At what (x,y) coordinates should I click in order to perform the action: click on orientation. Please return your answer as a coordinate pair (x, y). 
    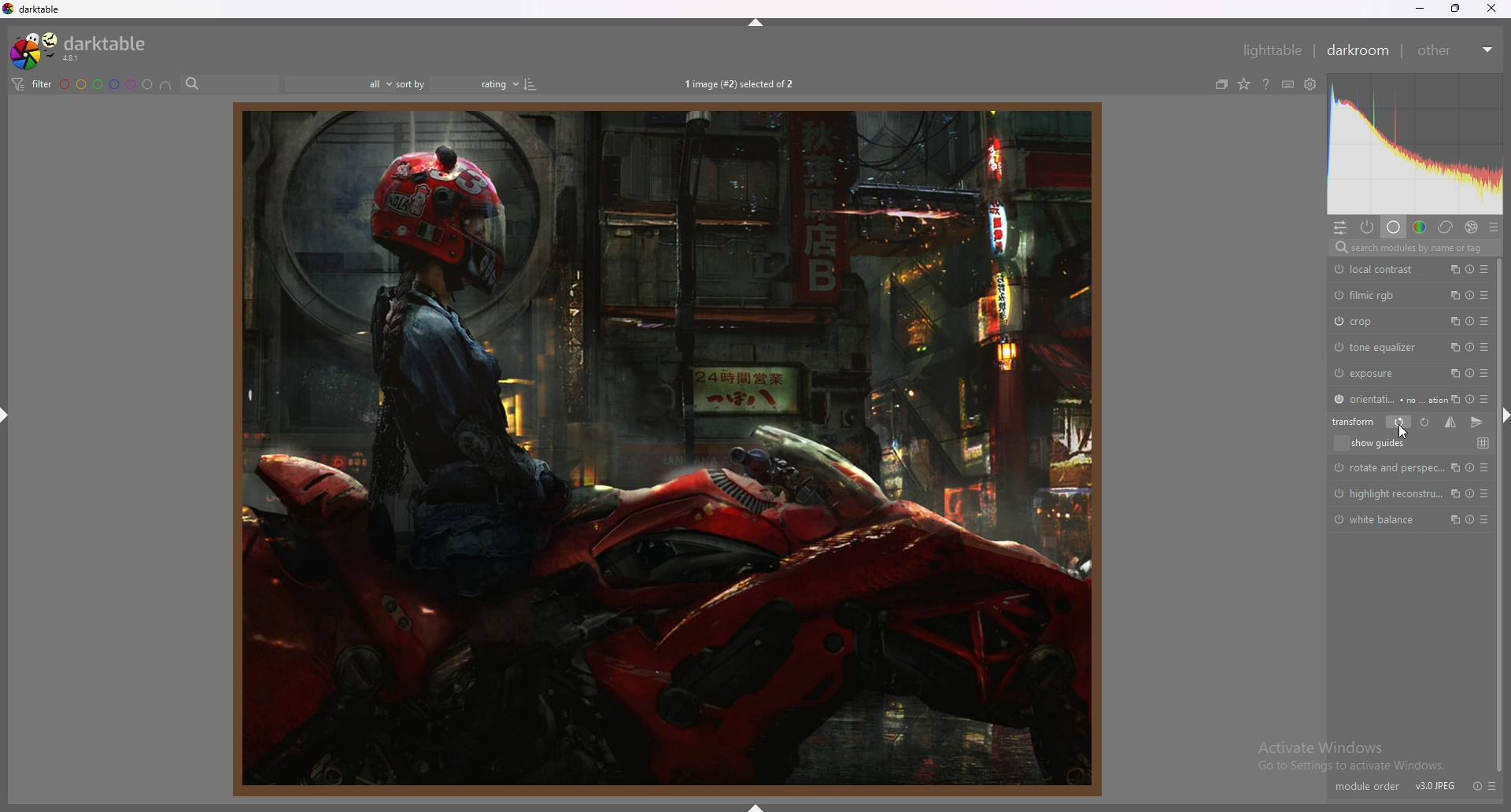
    Looking at the image, I should click on (1384, 398).